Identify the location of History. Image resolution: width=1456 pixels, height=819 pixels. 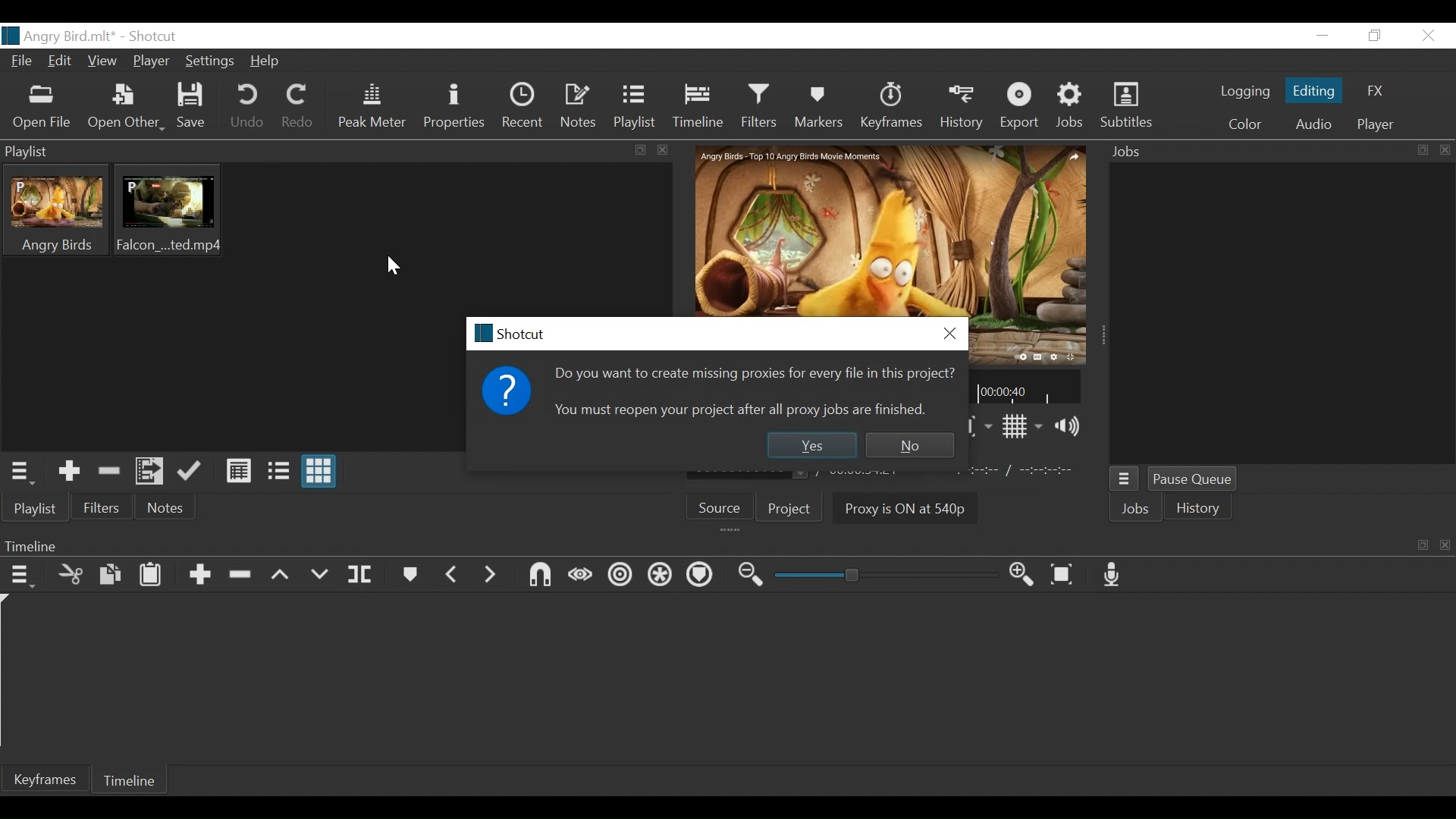
(959, 108).